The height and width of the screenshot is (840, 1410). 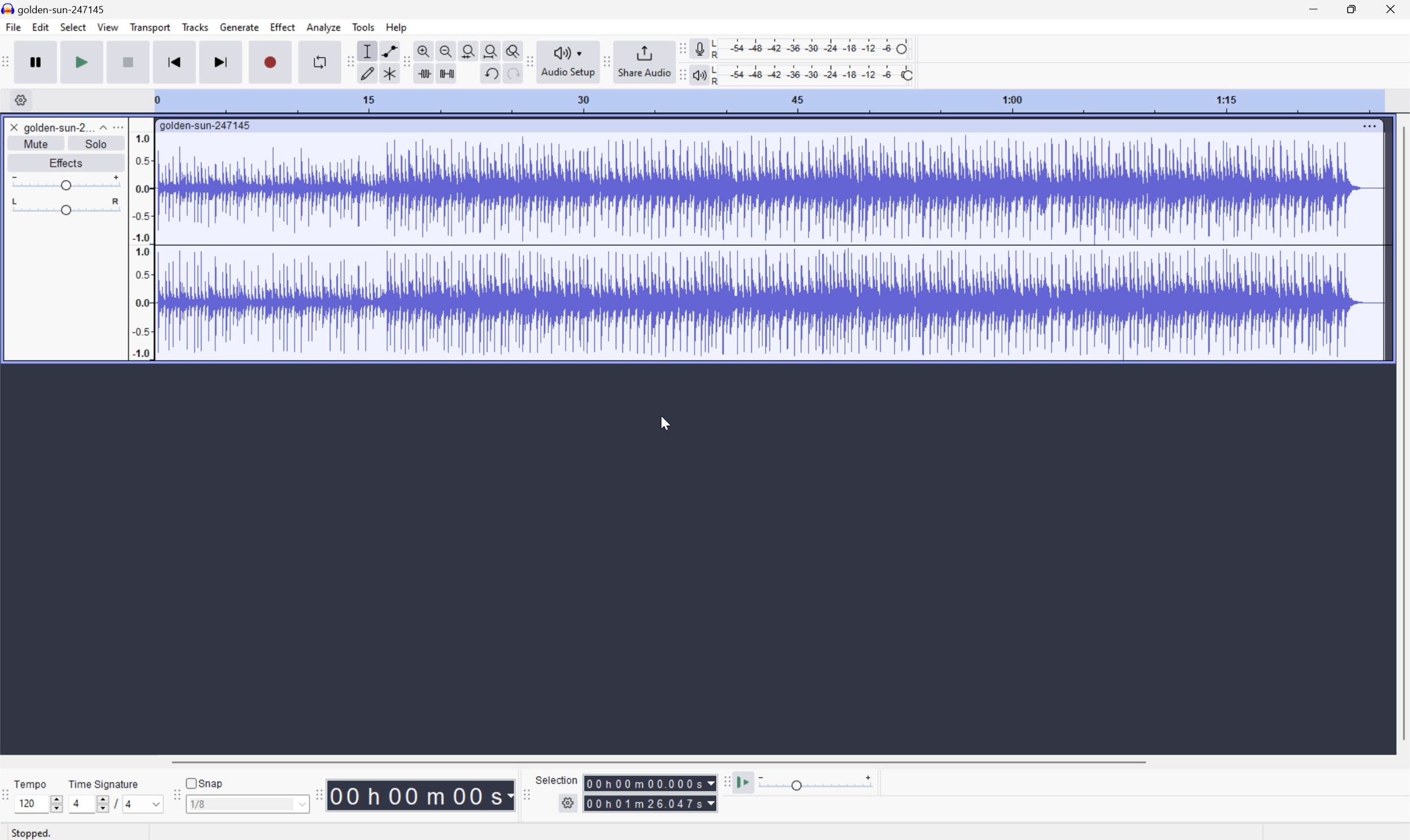 I want to click on More, so click(x=1368, y=125).